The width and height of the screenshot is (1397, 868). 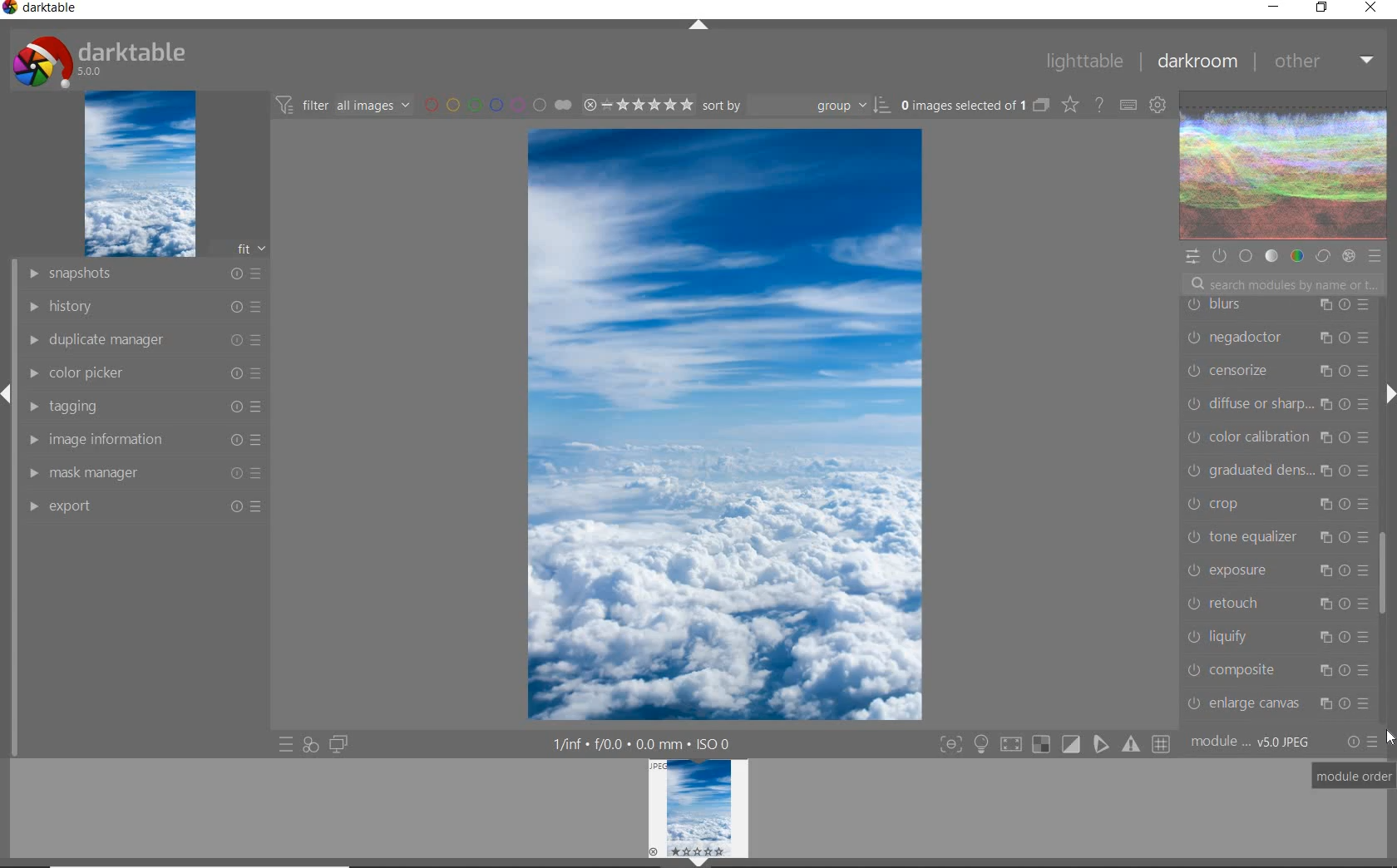 What do you see at coordinates (1157, 106) in the screenshot?
I see `SHOW GLOBAL PREFERENCE` at bounding box center [1157, 106].